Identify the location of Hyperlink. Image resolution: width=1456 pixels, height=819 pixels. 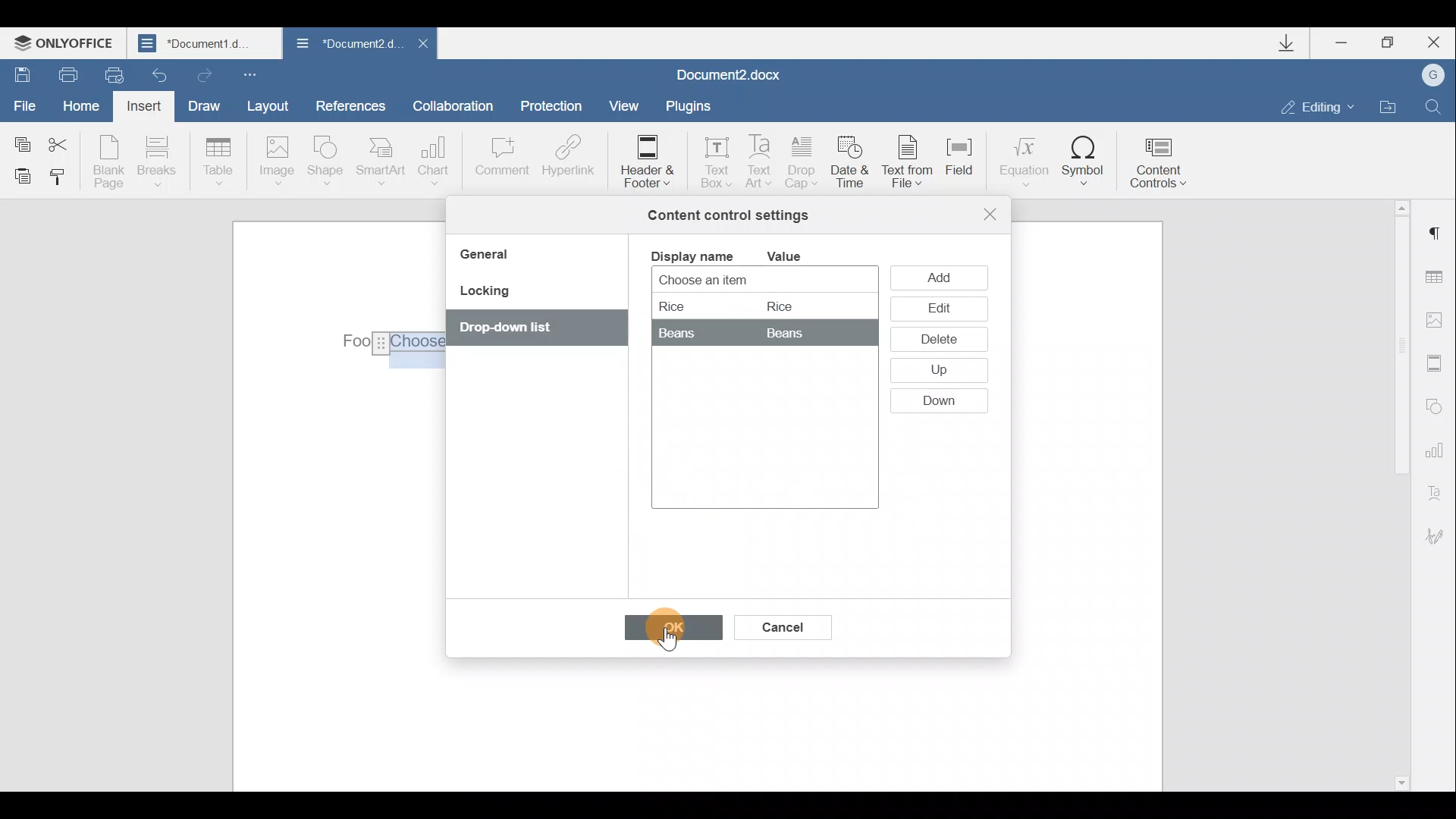
(565, 158).